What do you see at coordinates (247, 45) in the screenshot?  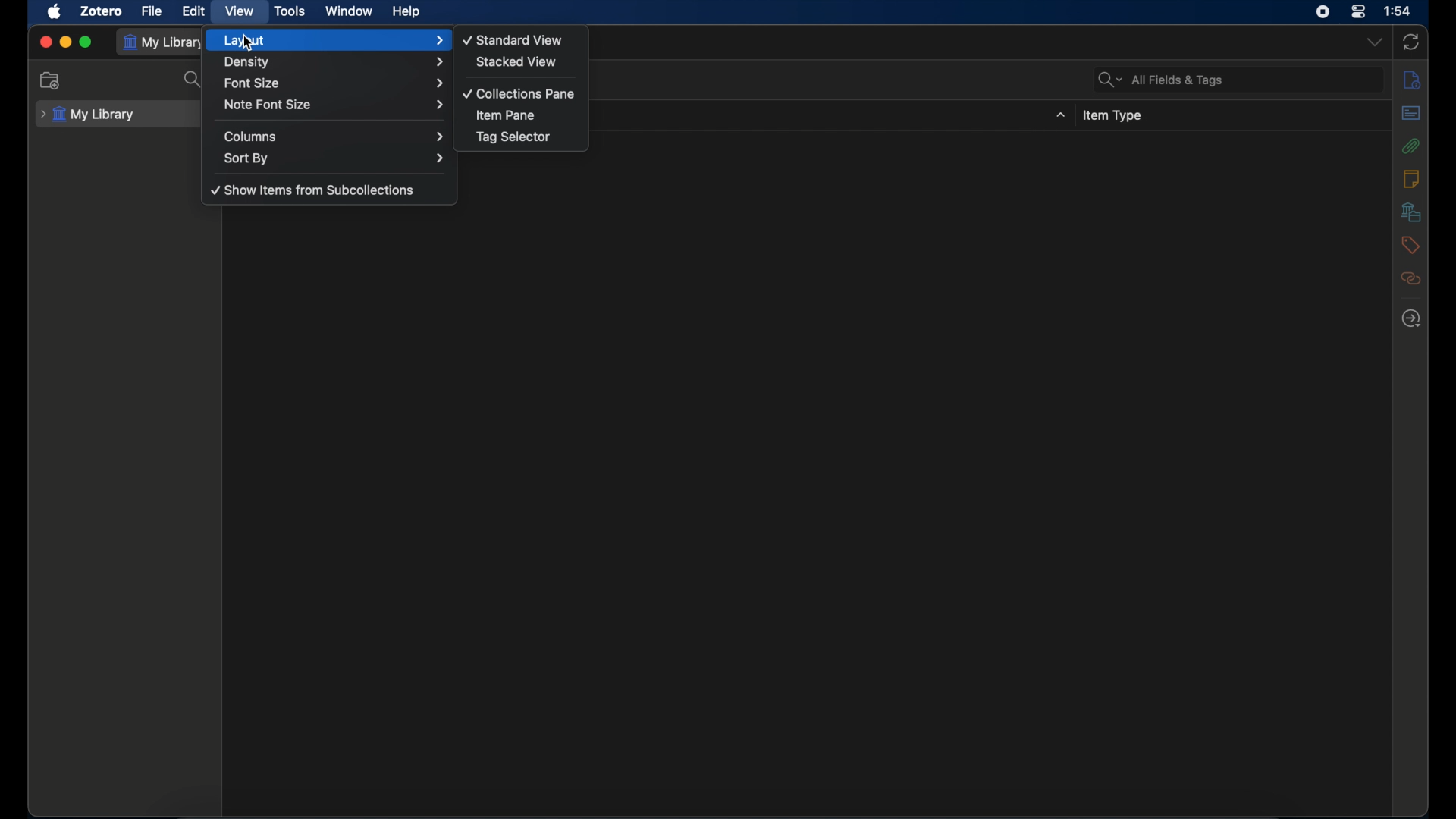 I see `cursor` at bounding box center [247, 45].